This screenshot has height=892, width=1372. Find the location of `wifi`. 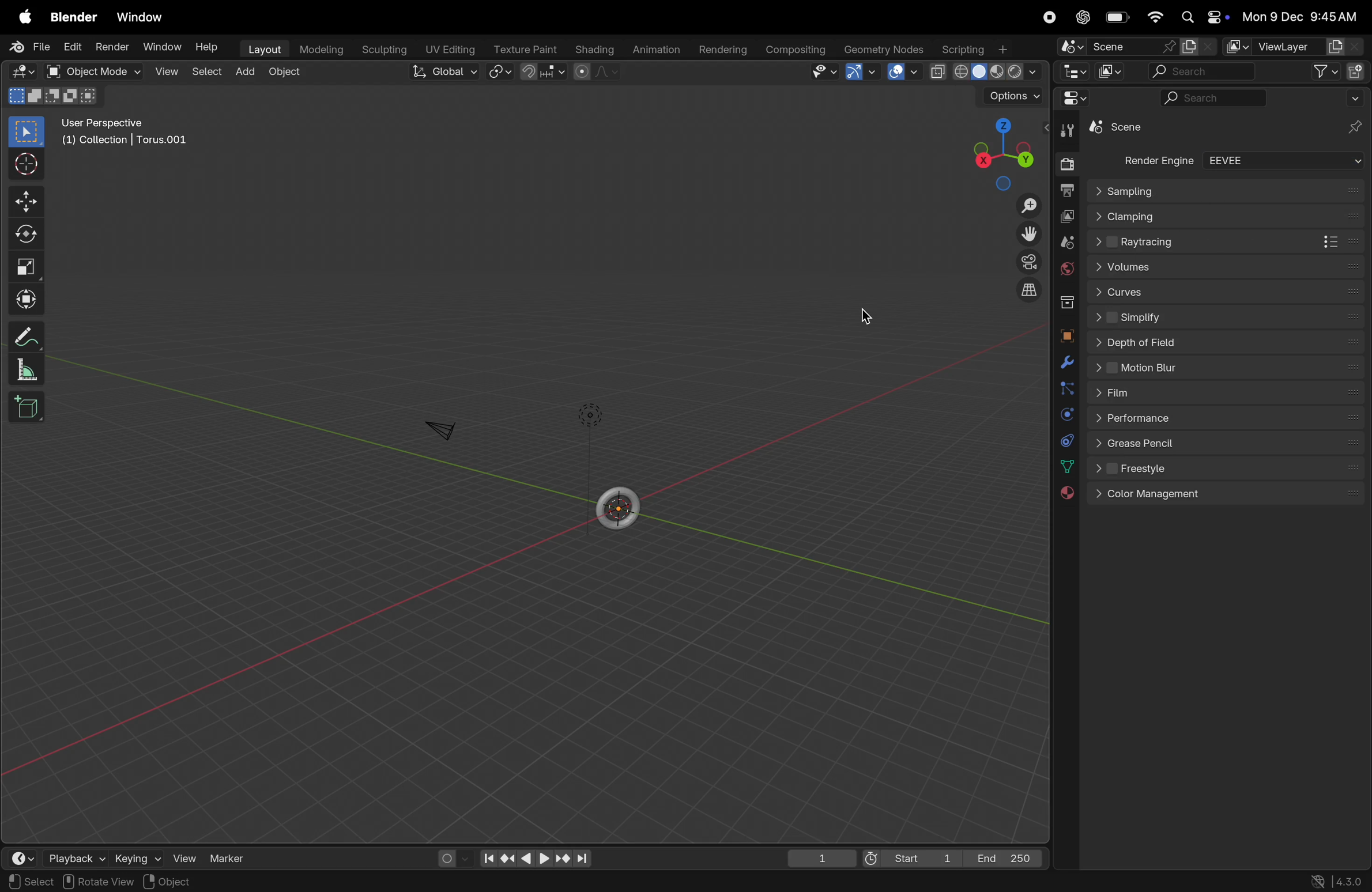

wifi is located at coordinates (1156, 18).